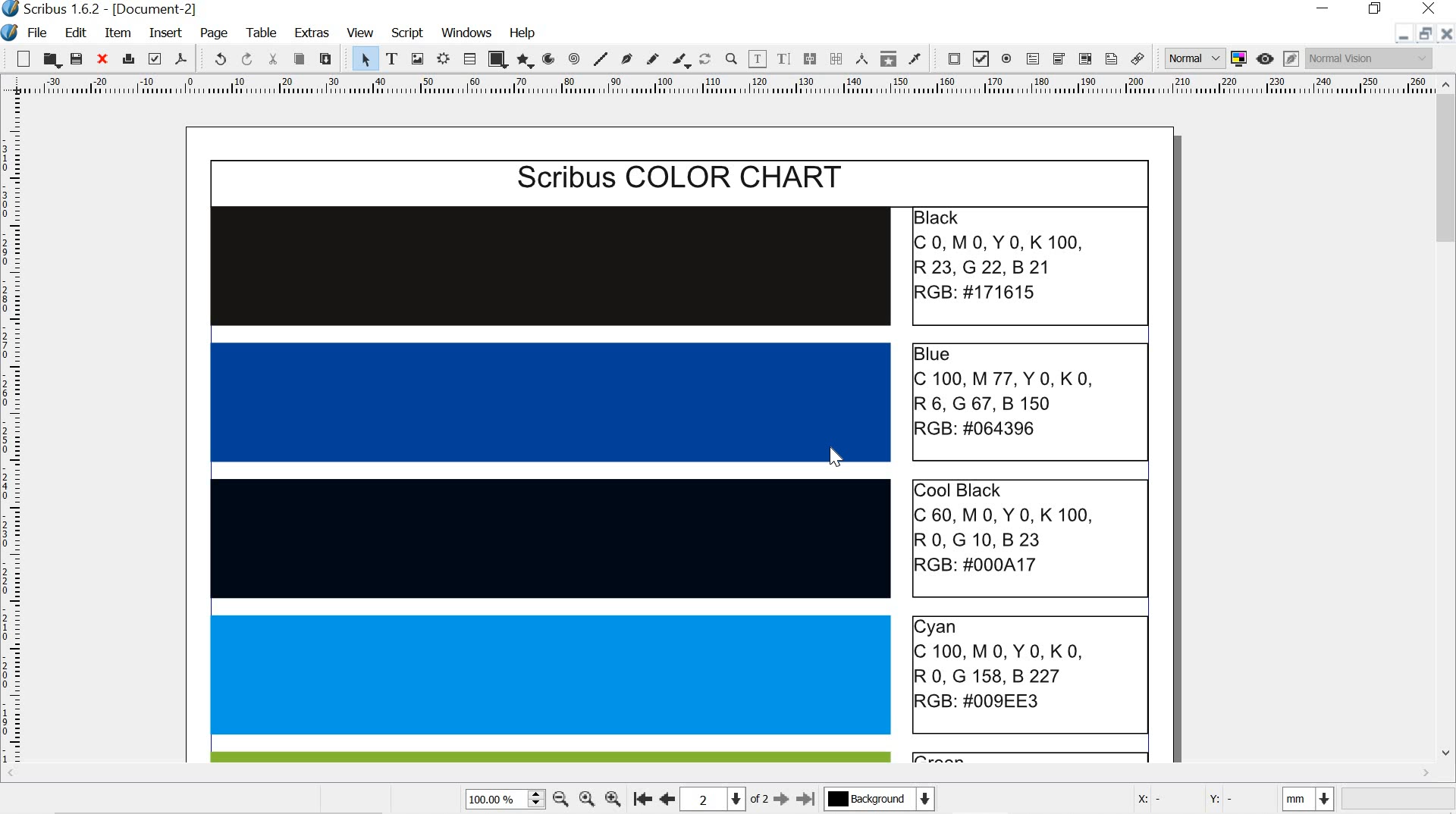  What do you see at coordinates (118, 33) in the screenshot?
I see `item` at bounding box center [118, 33].